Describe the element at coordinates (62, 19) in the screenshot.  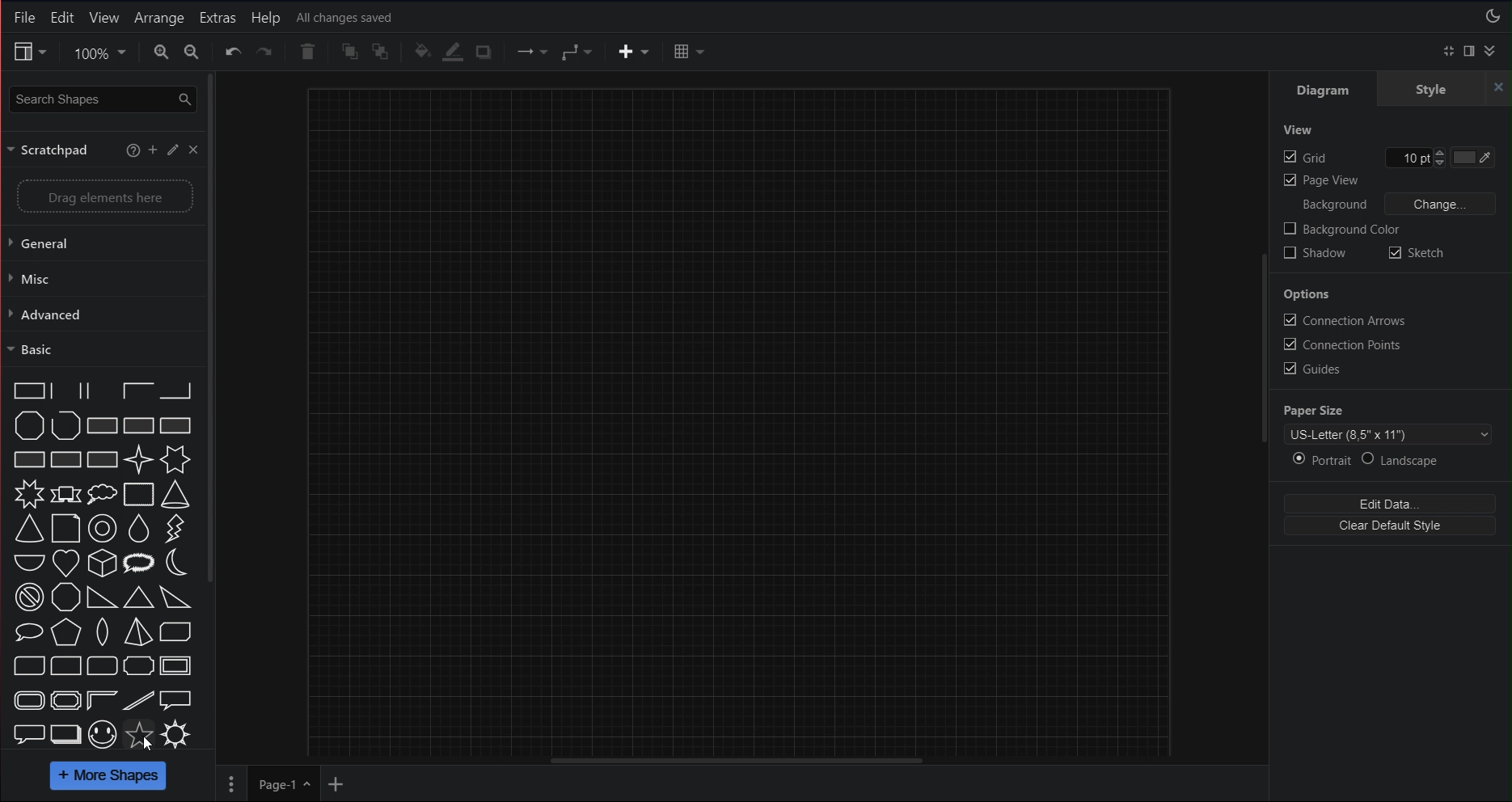
I see `Edit` at that location.